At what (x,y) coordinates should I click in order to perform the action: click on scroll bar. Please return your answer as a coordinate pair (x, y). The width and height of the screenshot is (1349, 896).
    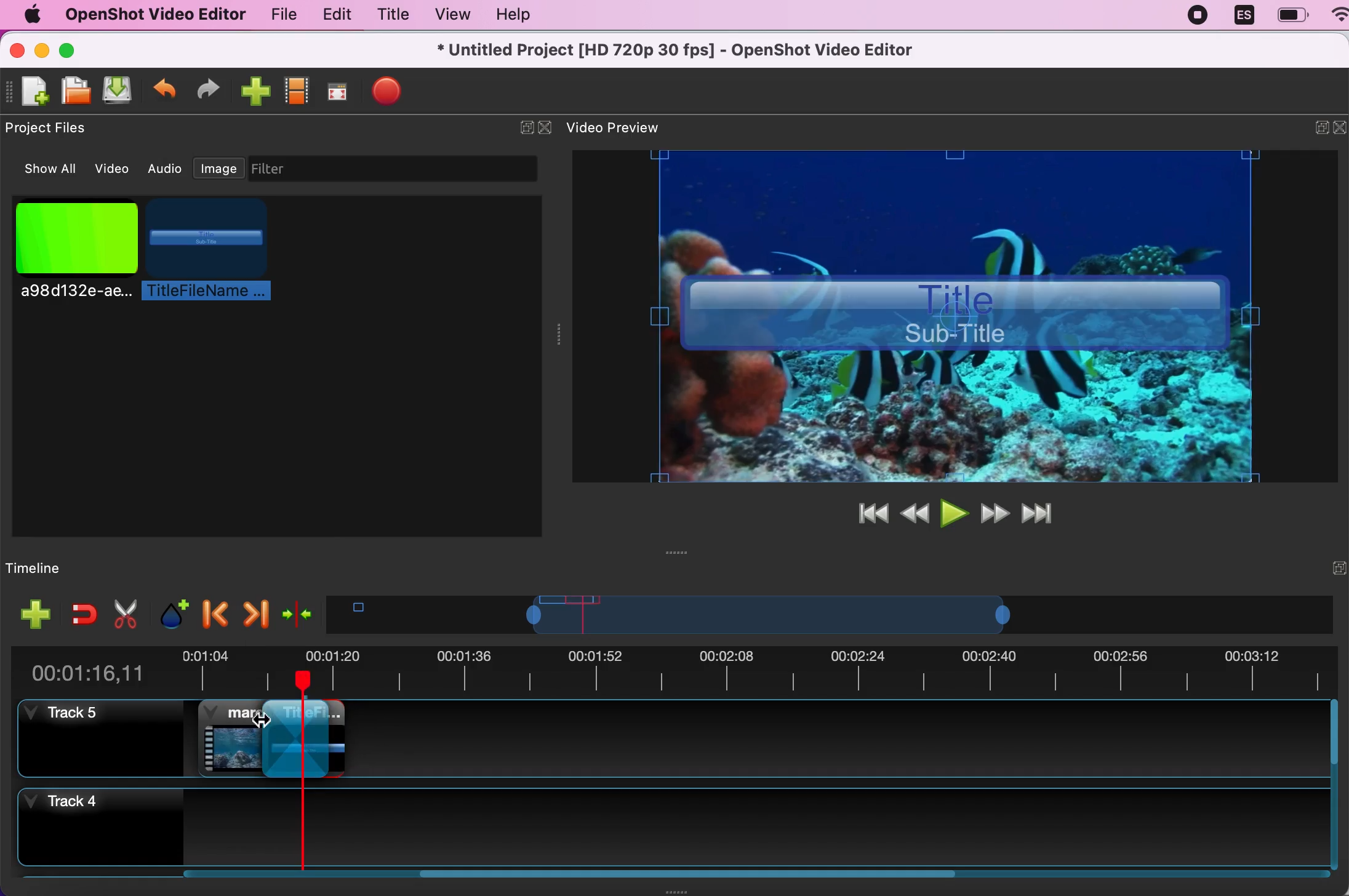
    Looking at the image, I should click on (1340, 787).